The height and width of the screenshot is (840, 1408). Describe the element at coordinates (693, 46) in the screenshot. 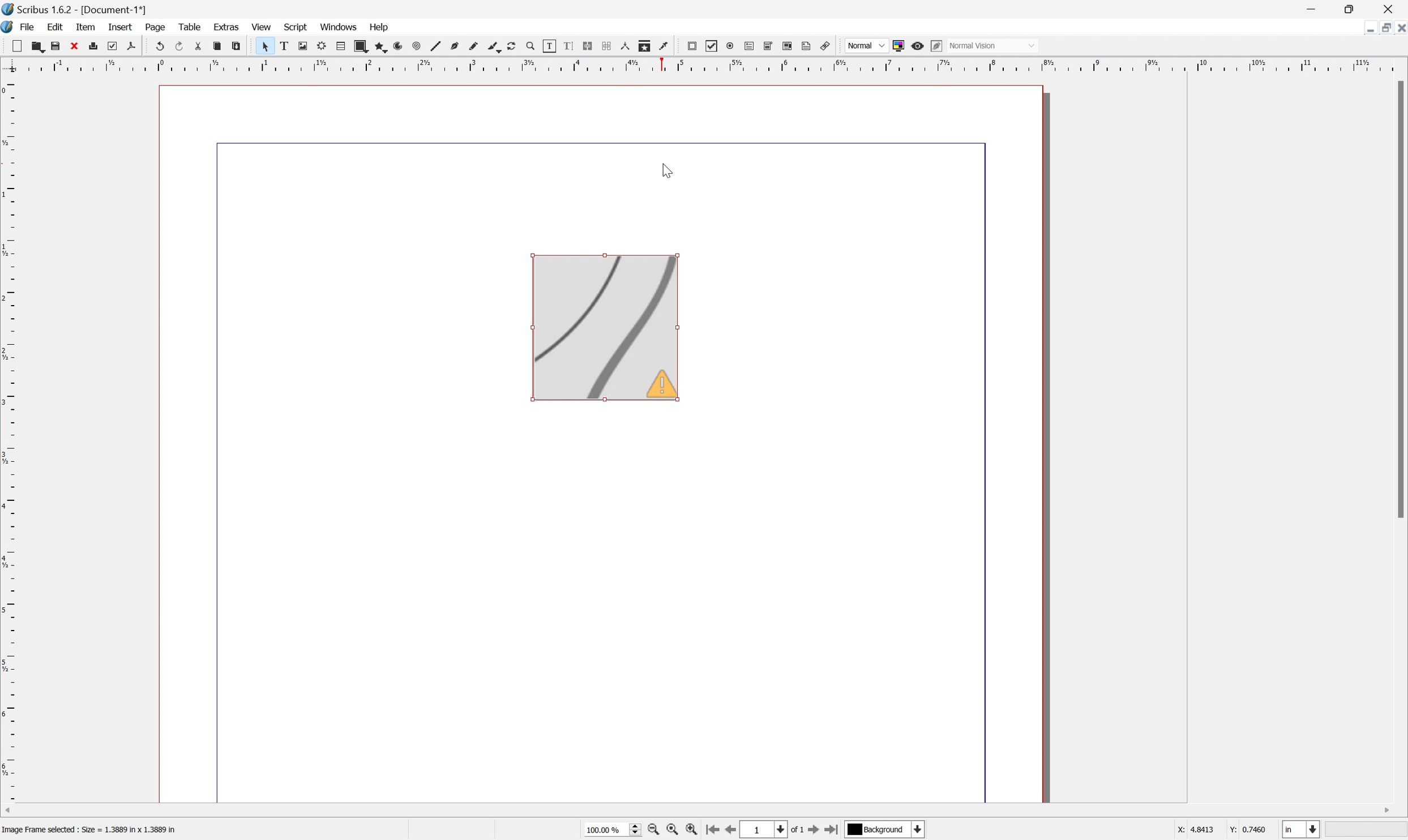

I see `PDF push button` at that location.